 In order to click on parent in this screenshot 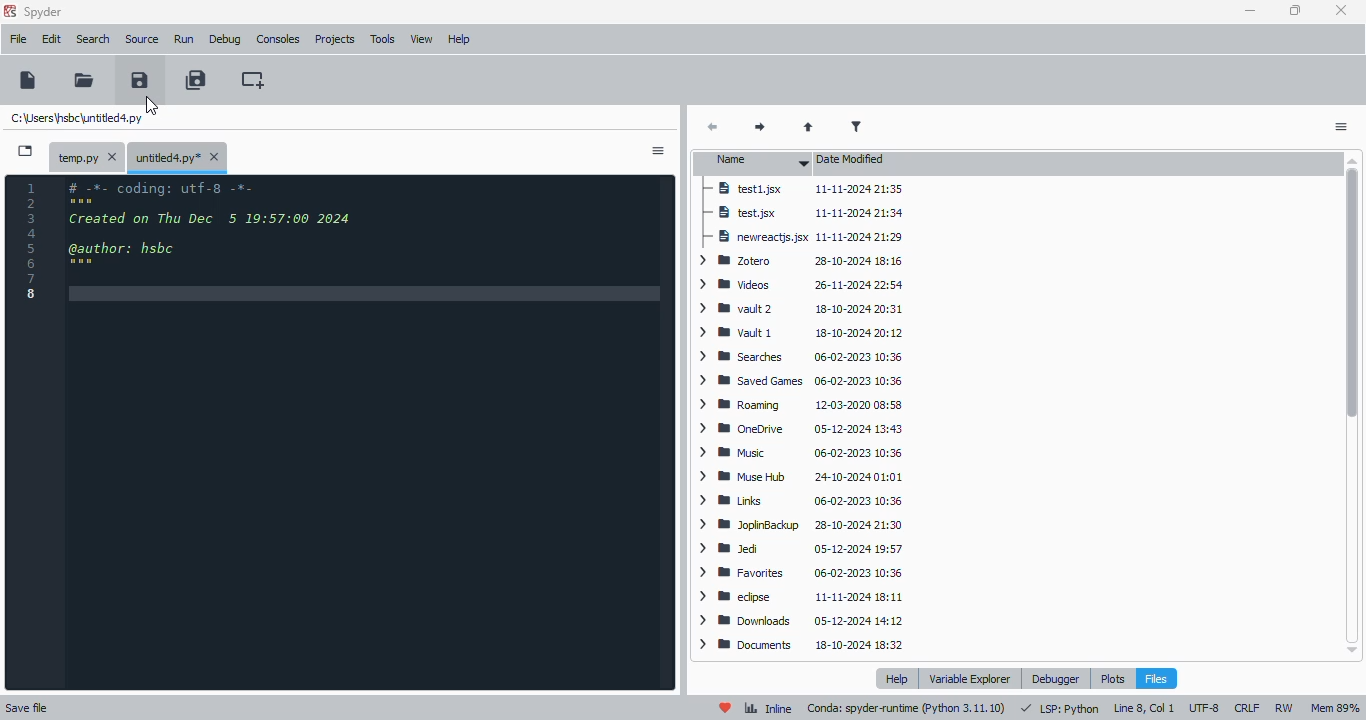, I will do `click(809, 127)`.